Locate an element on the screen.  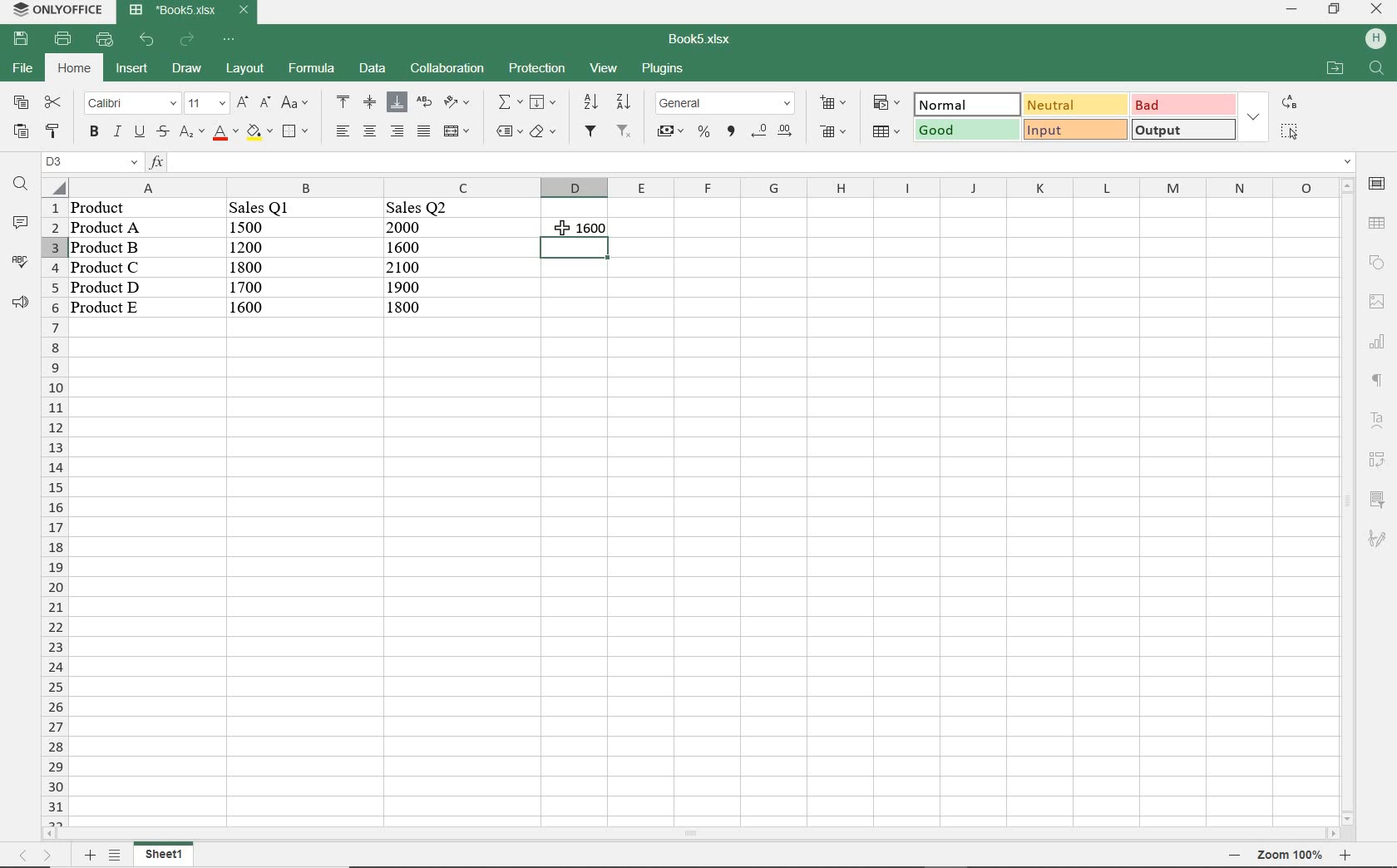
Select all is located at coordinates (52, 186).